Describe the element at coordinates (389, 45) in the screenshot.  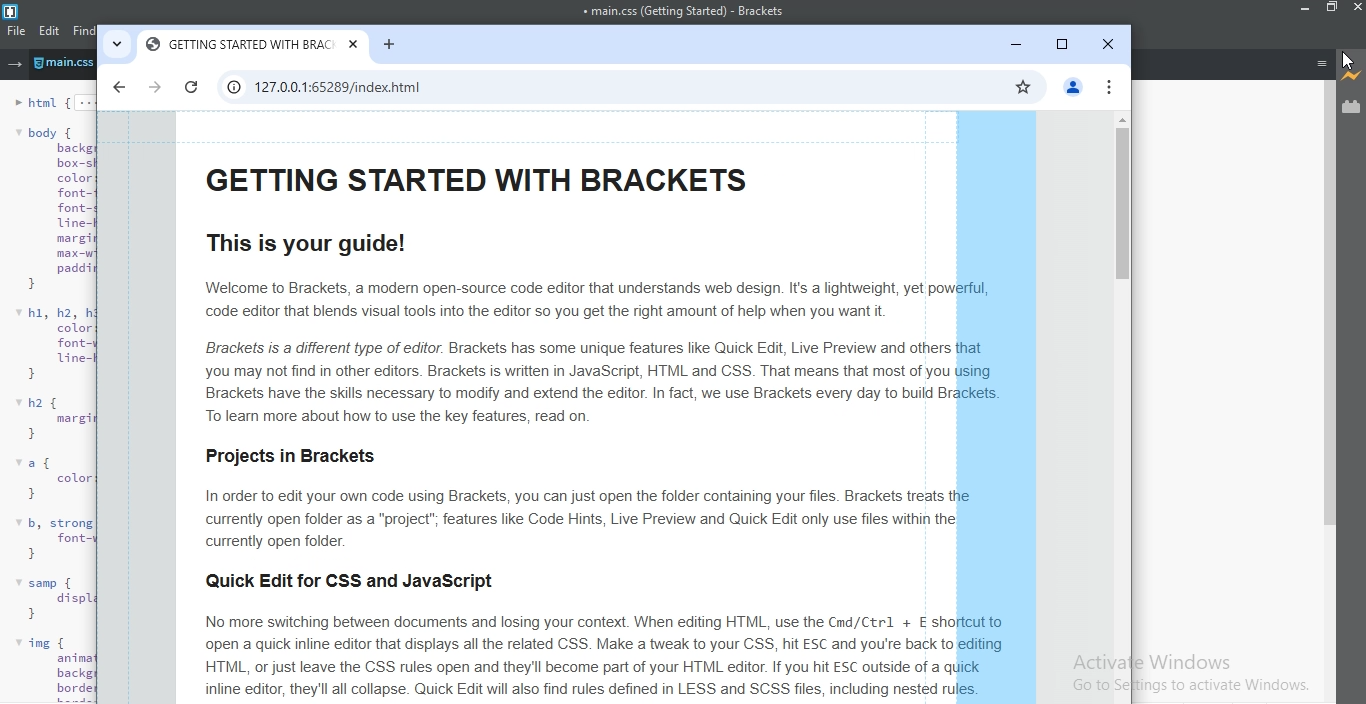
I see `new tab` at that location.